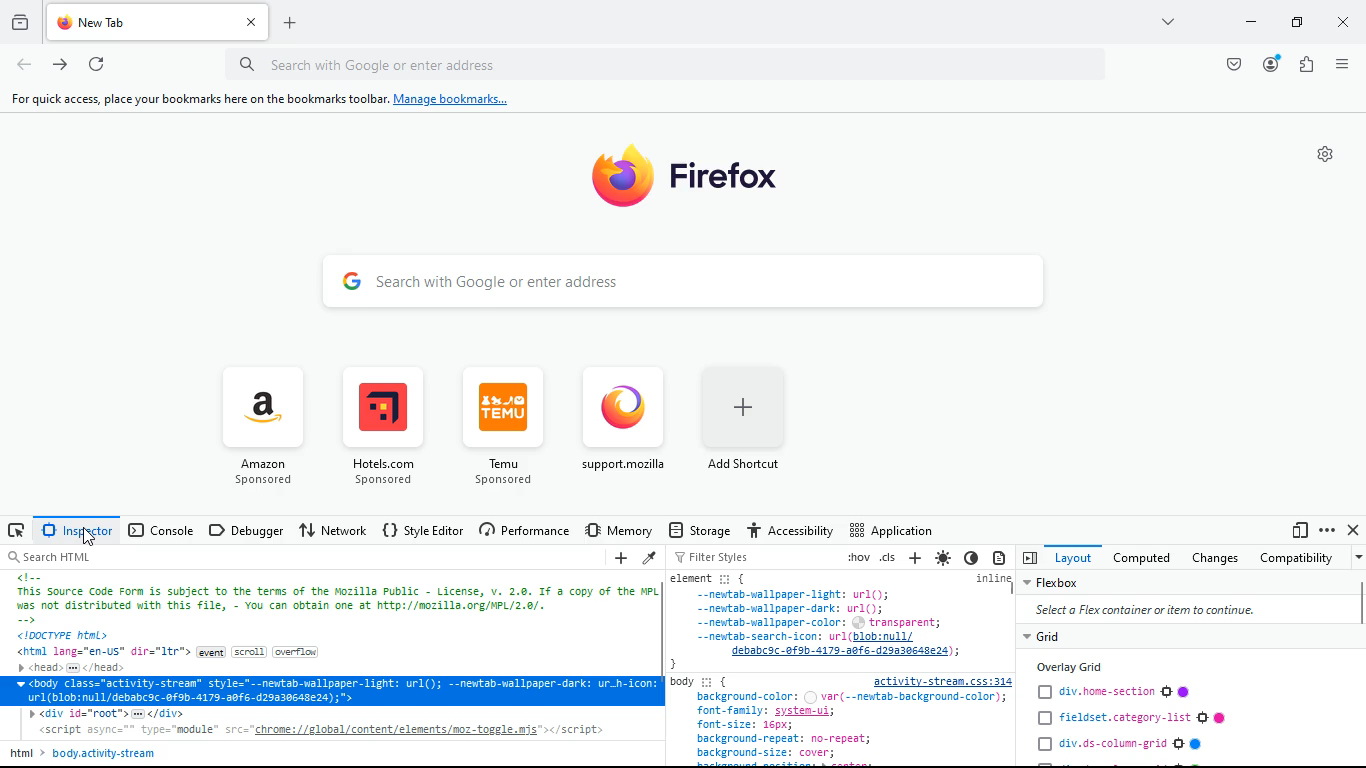 Image resolution: width=1366 pixels, height=768 pixels. Describe the element at coordinates (1049, 636) in the screenshot. I see `grid` at that location.